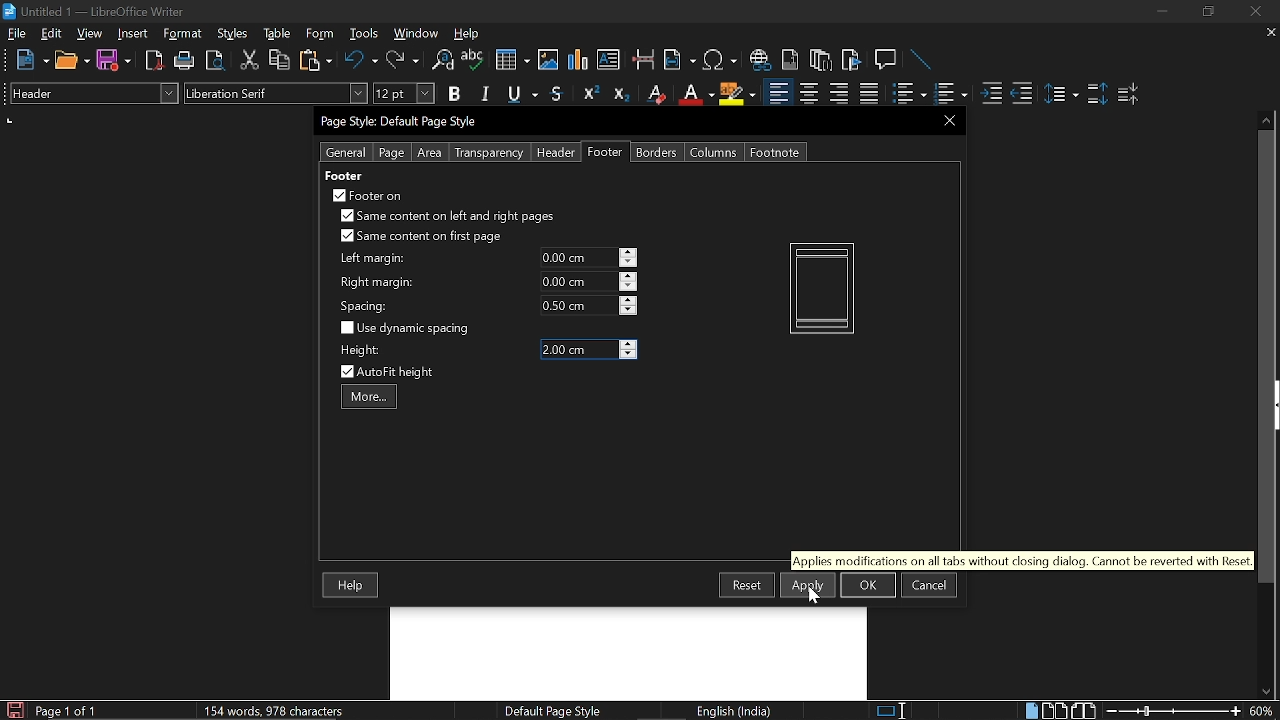 This screenshot has height=720, width=1280. What do you see at coordinates (588, 94) in the screenshot?
I see `Superscript` at bounding box center [588, 94].